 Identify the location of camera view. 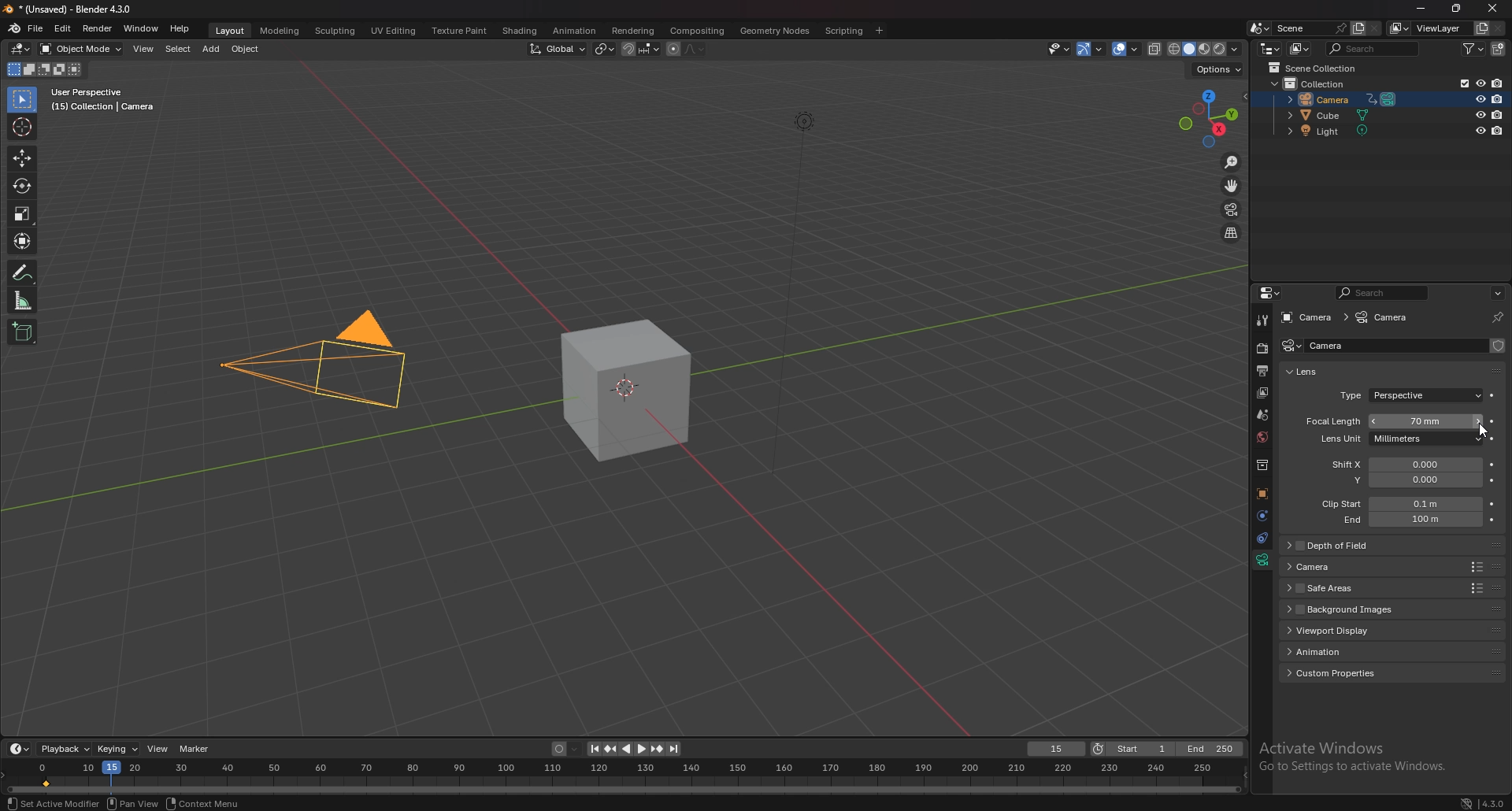
(1232, 209).